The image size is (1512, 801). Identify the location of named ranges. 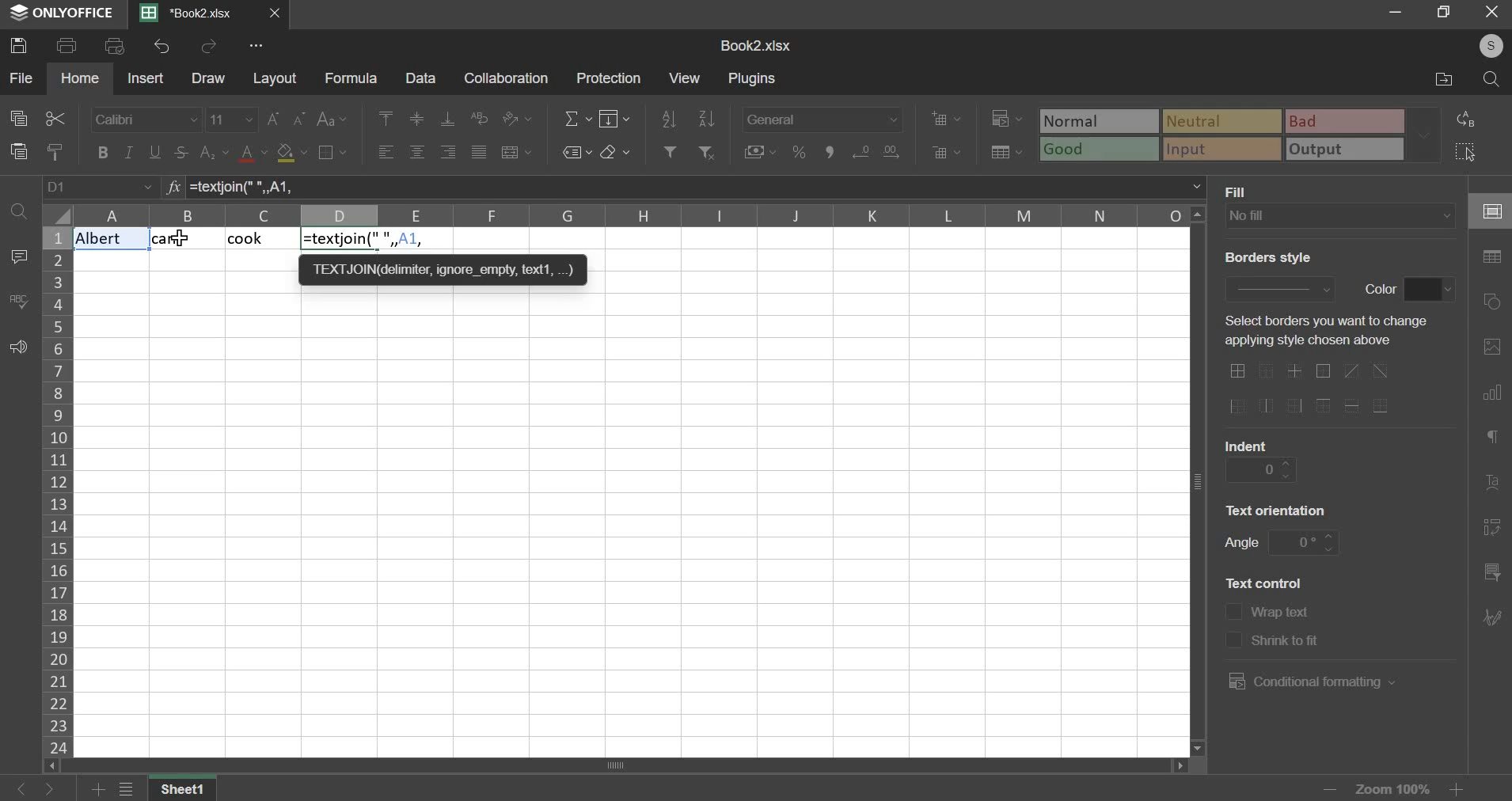
(576, 152).